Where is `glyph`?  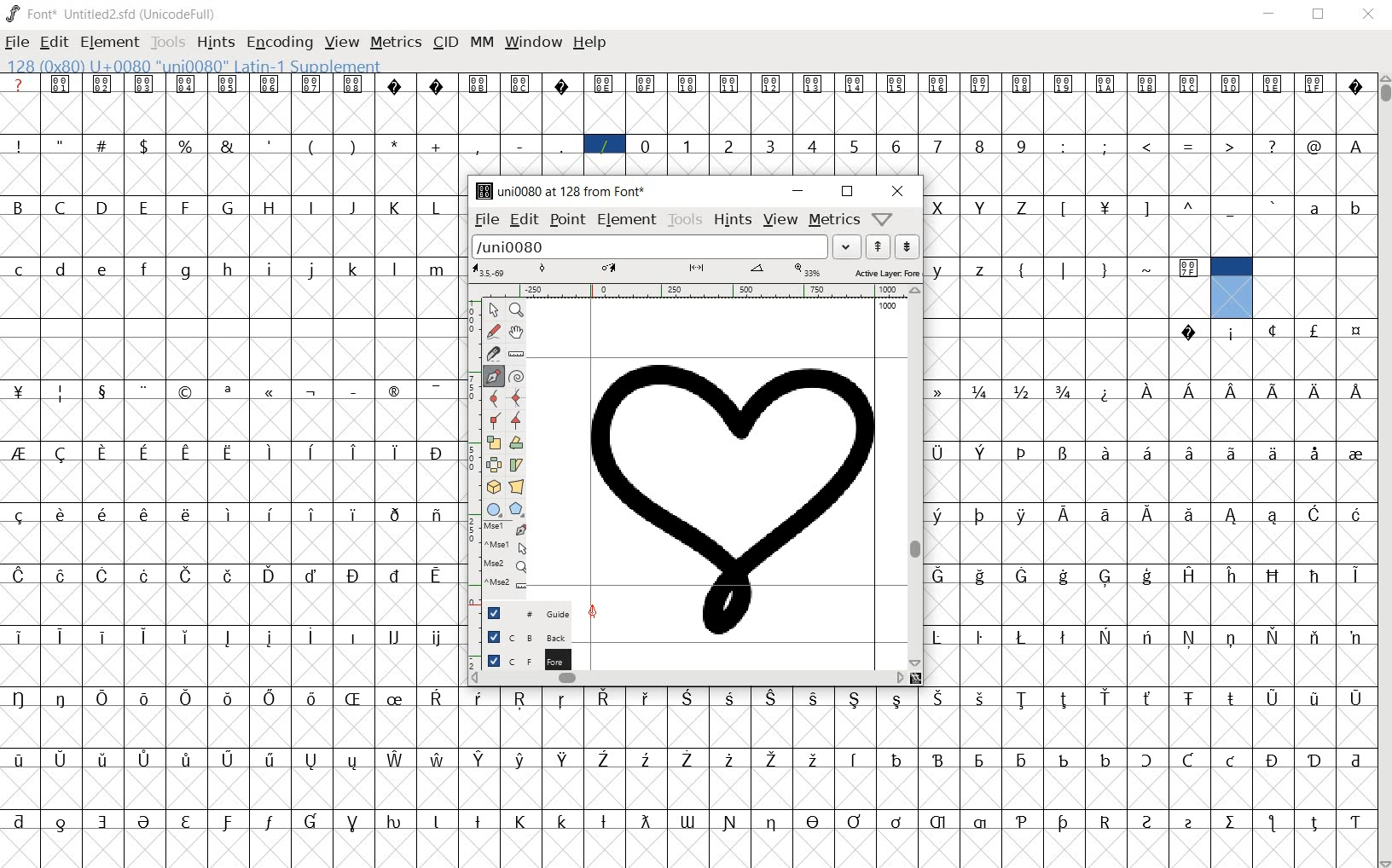 glyph is located at coordinates (811, 145).